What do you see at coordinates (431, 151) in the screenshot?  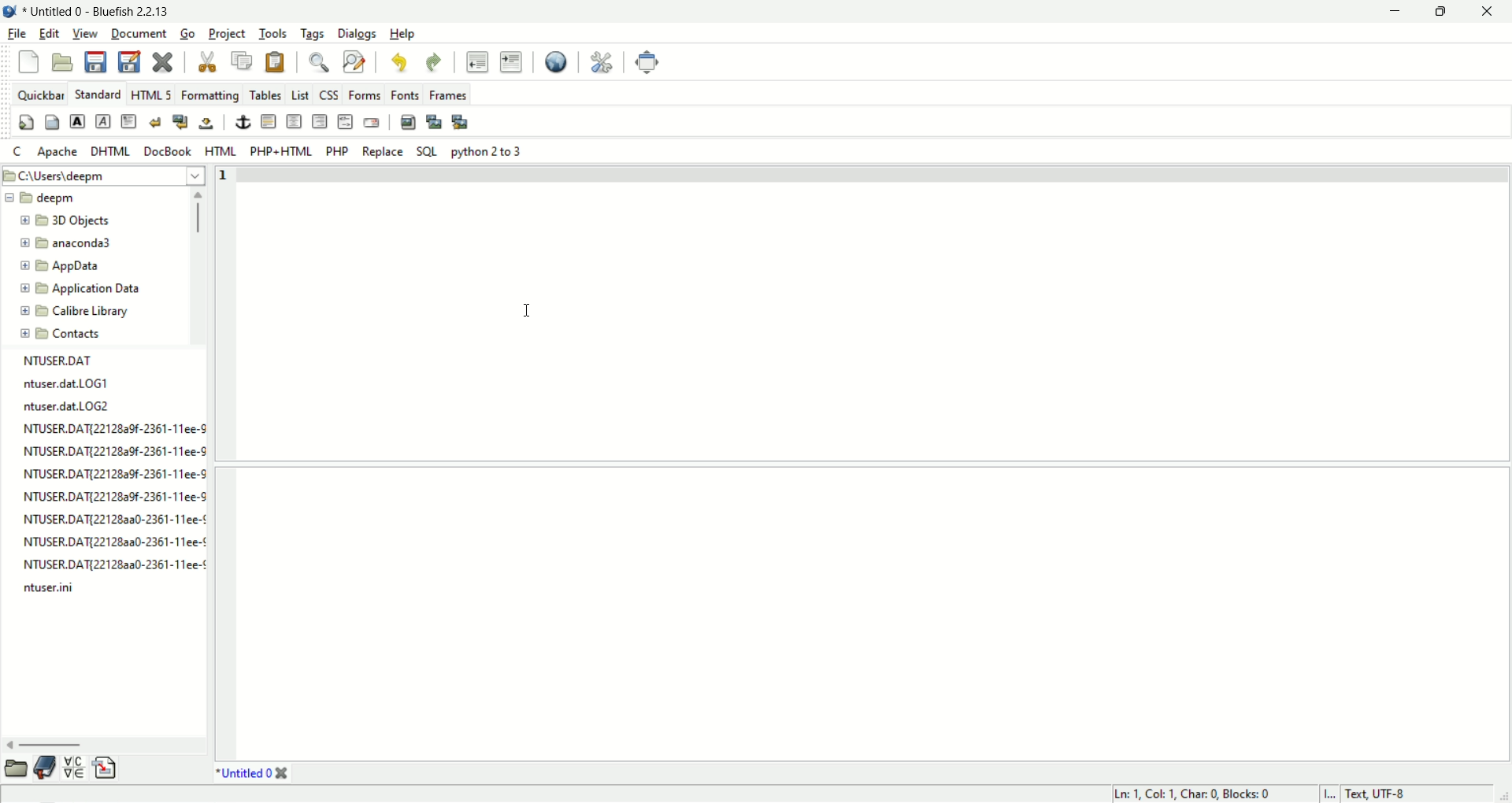 I see `SQL` at bounding box center [431, 151].